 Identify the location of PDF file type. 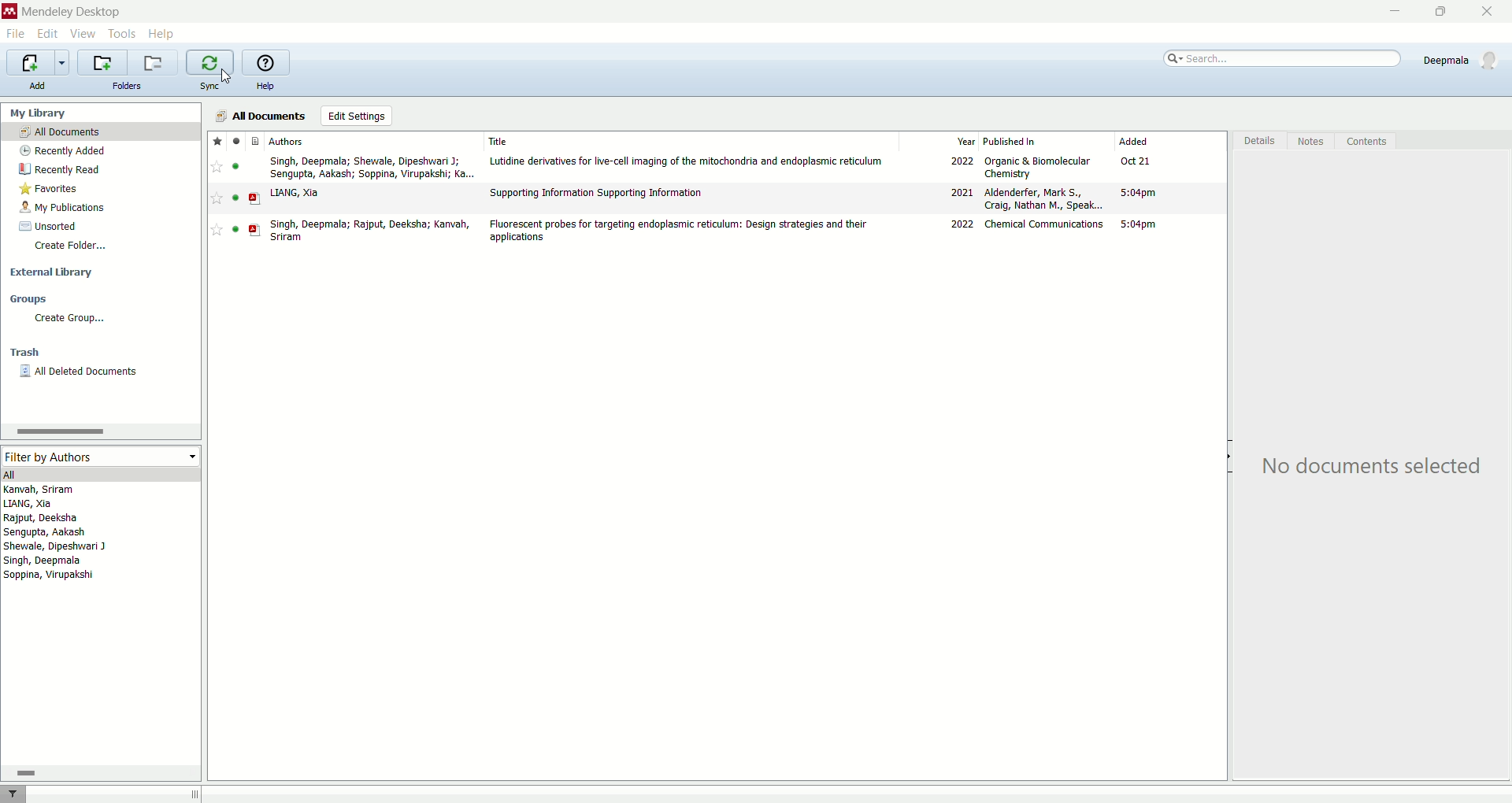
(255, 231).